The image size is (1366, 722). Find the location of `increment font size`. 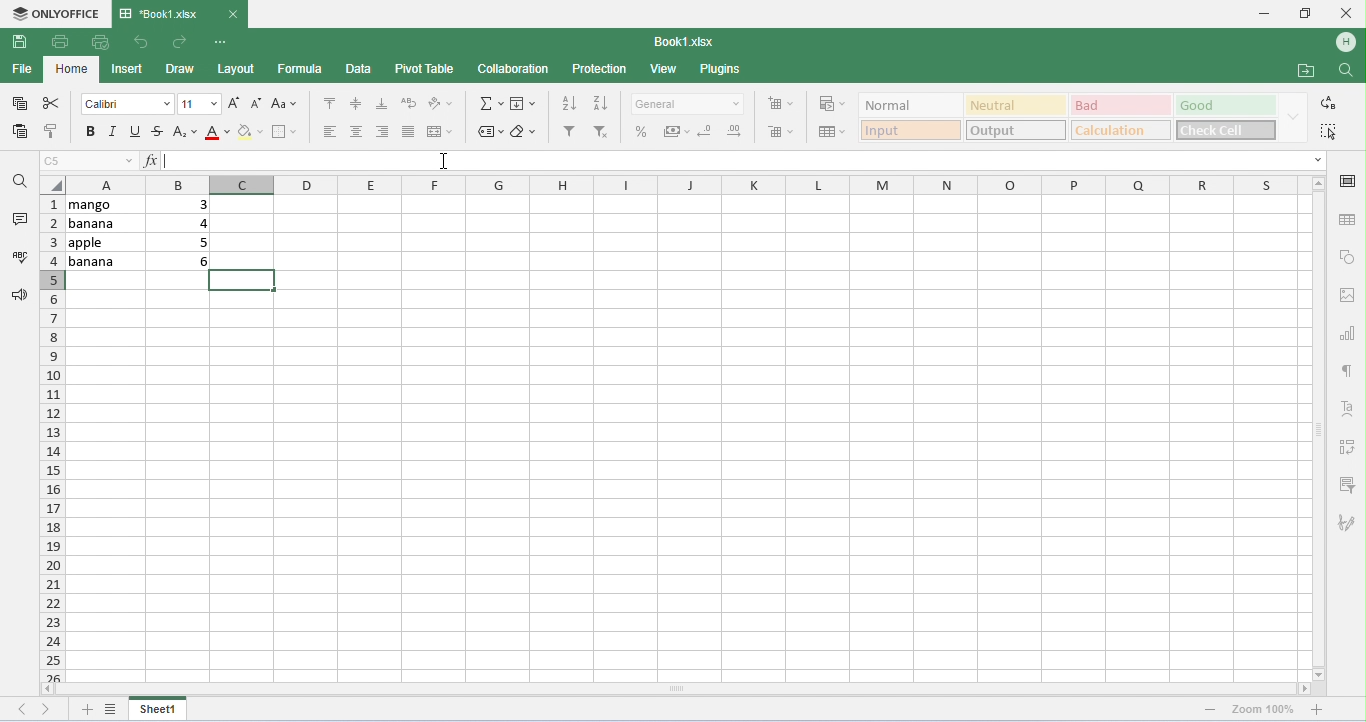

increment font size is located at coordinates (235, 103).